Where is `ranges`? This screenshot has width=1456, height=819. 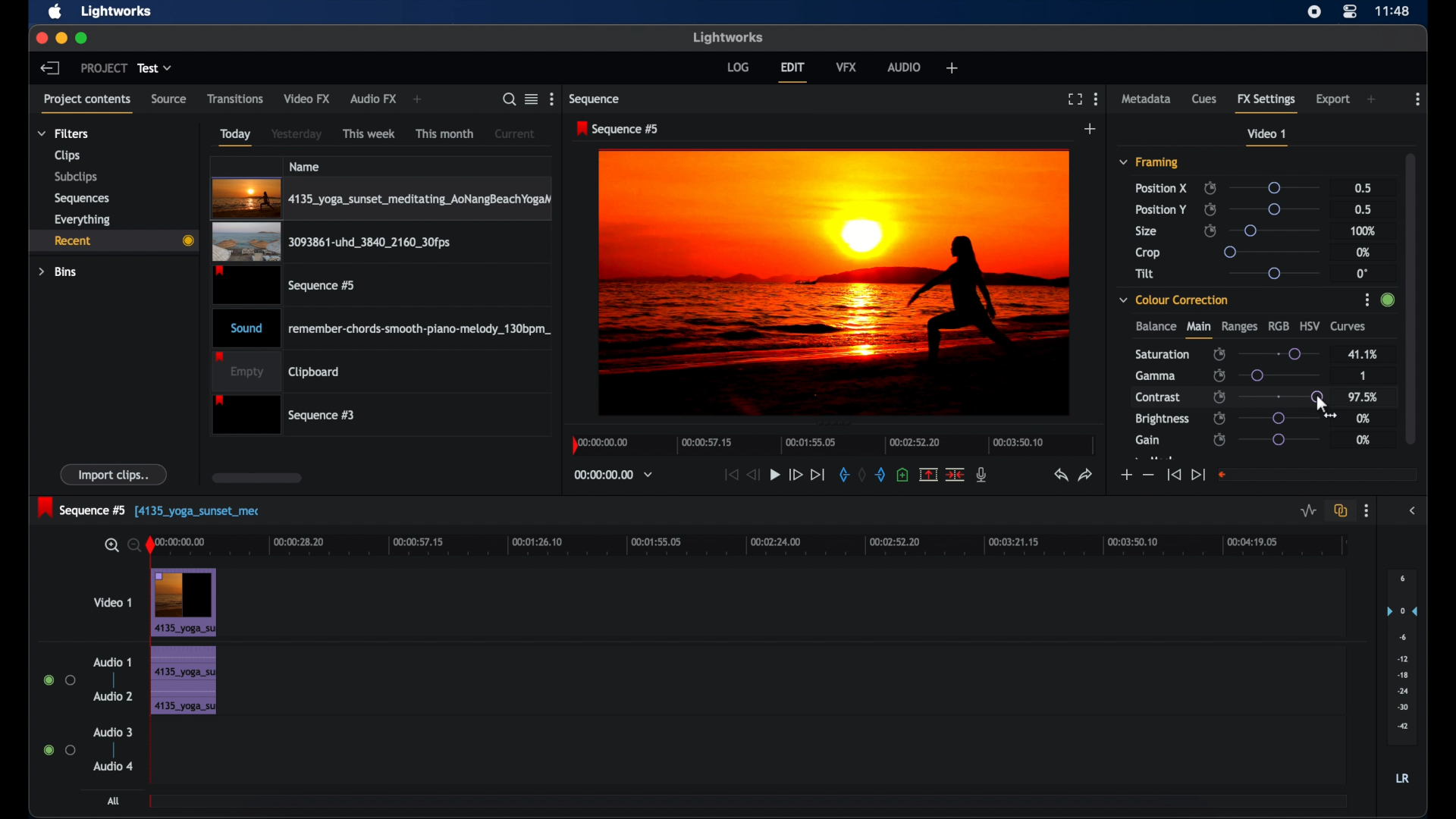
ranges is located at coordinates (1239, 327).